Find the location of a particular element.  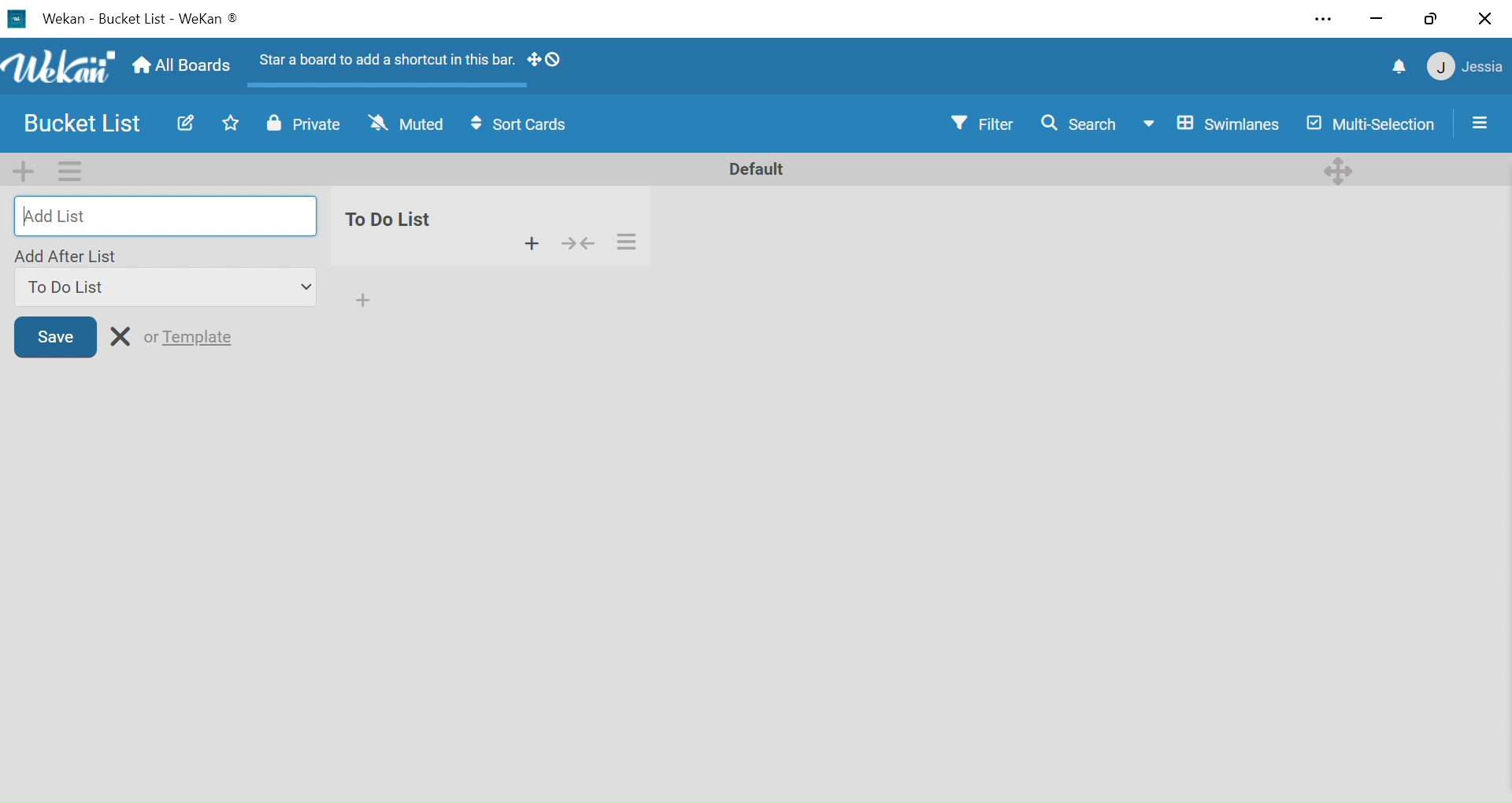

Toggle handle on/off is located at coordinates (545, 62).